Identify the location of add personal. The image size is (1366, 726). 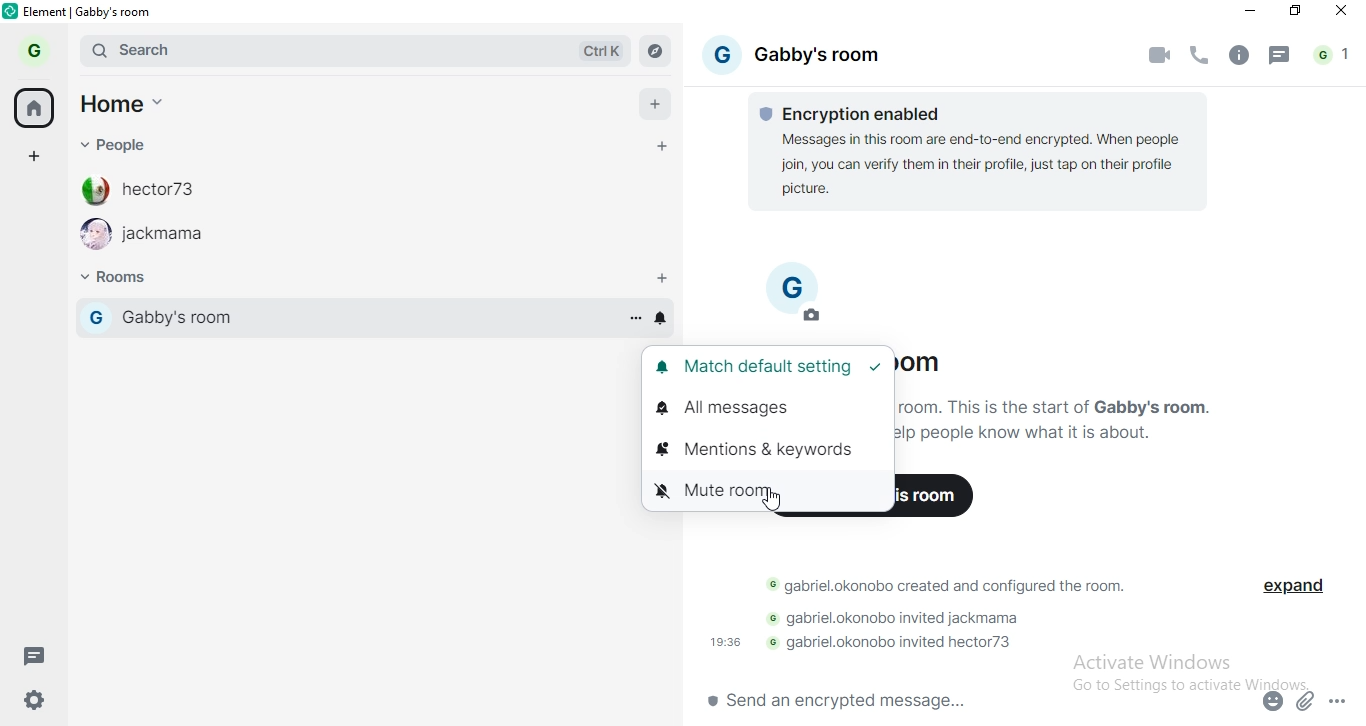
(667, 150).